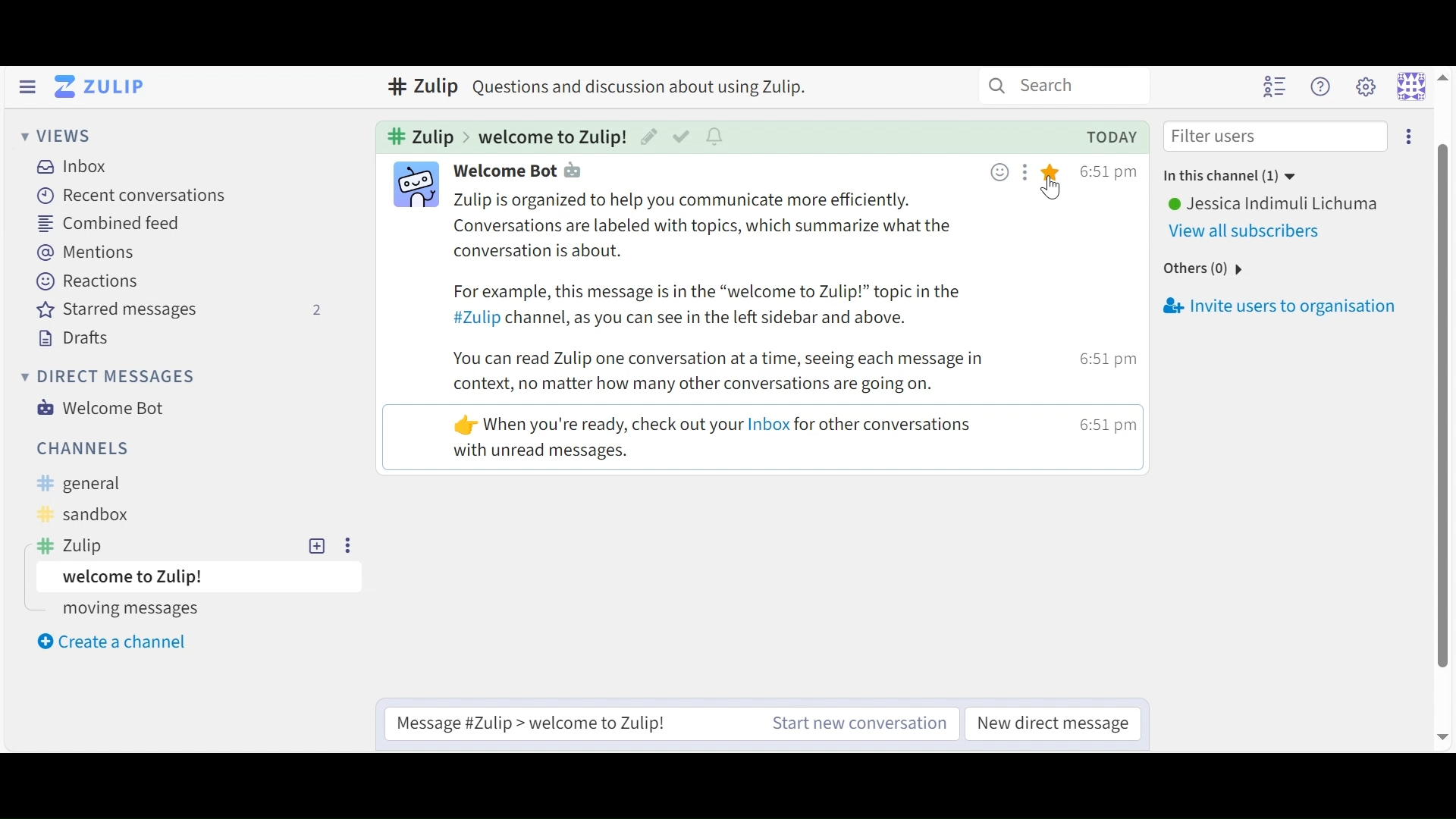 The width and height of the screenshot is (1456, 819). What do you see at coordinates (1369, 86) in the screenshot?
I see `Settings menu` at bounding box center [1369, 86].